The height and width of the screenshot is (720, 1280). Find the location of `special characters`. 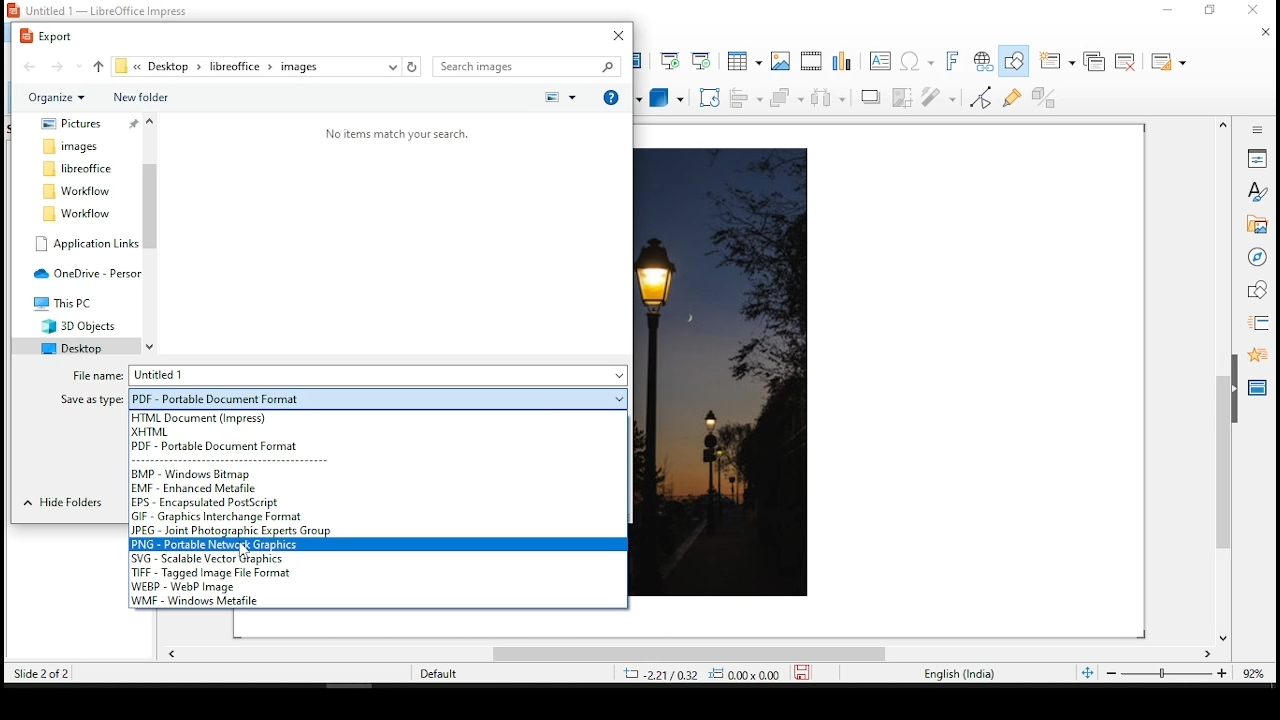

special characters is located at coordinates (916, 61).